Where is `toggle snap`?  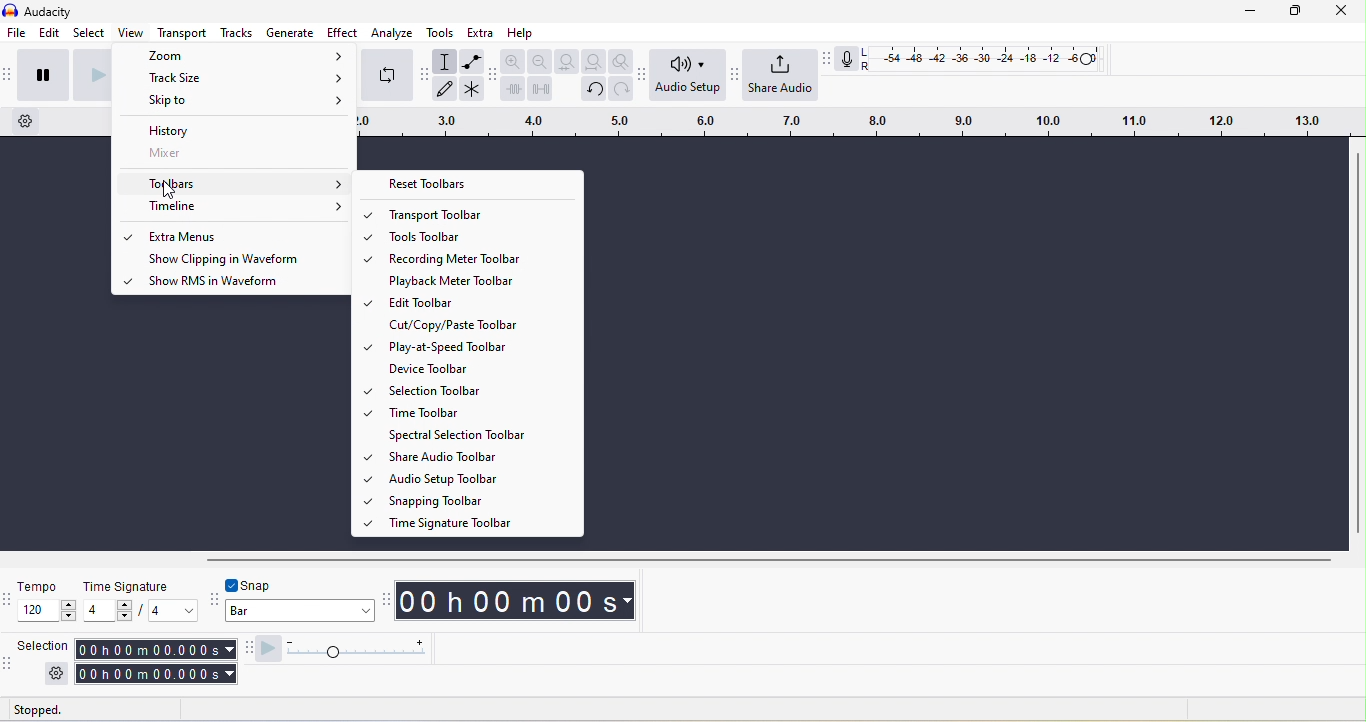 toggle snap is located at coordinates (250, 585).